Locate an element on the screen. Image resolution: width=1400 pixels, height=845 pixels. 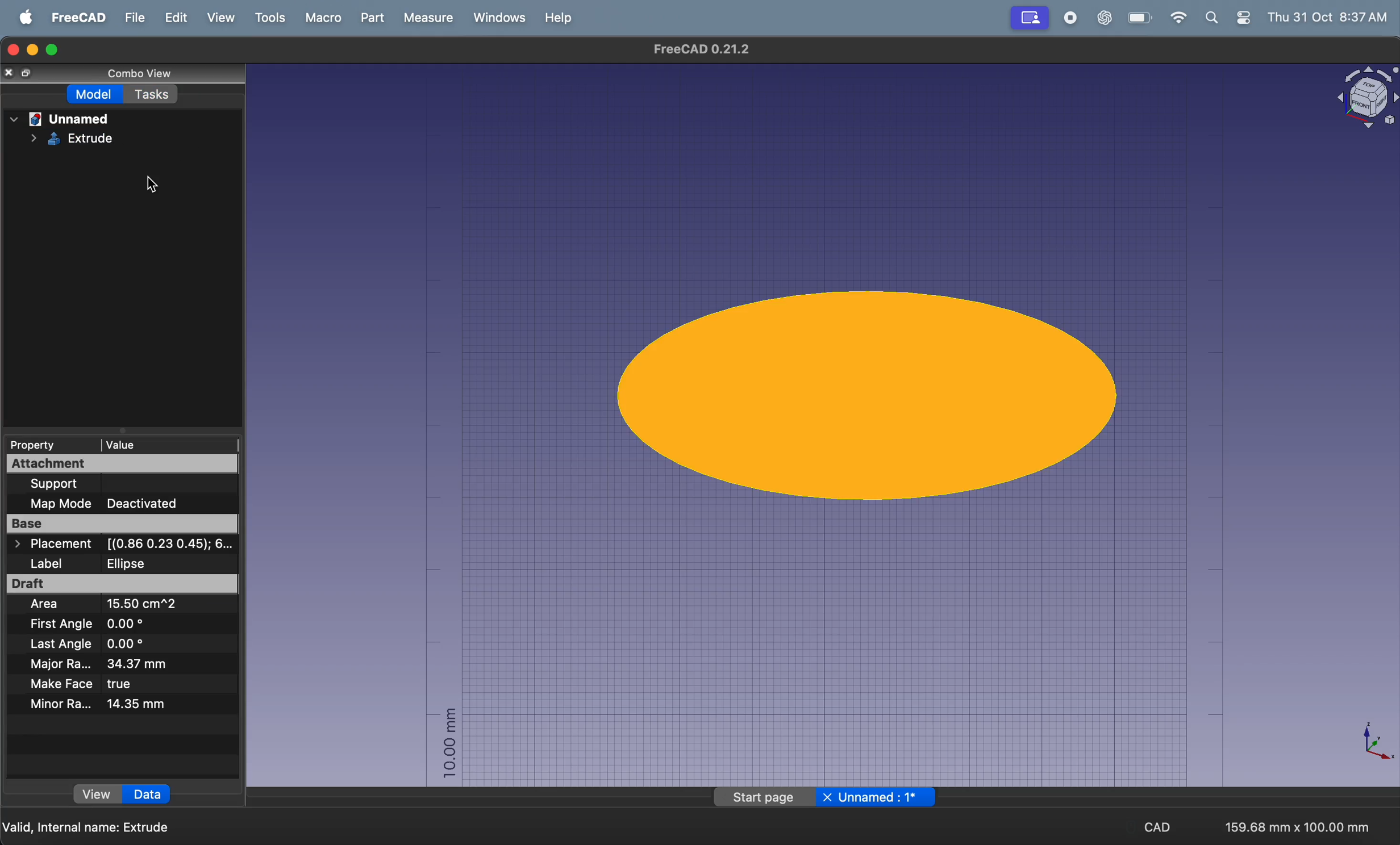
ellipse is located at coordinates (874, 392).